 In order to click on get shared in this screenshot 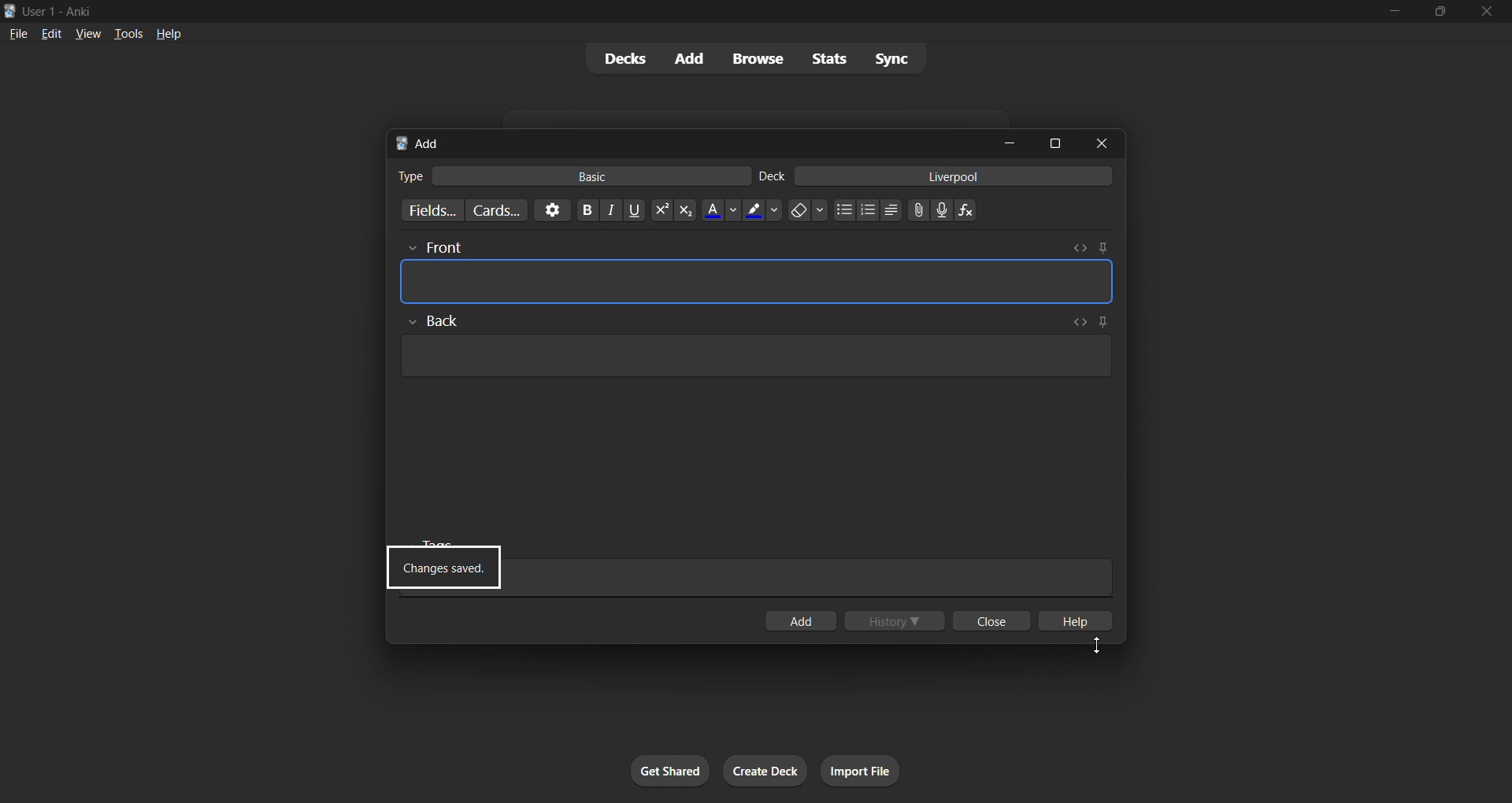, I will do `click(667, 770)`.